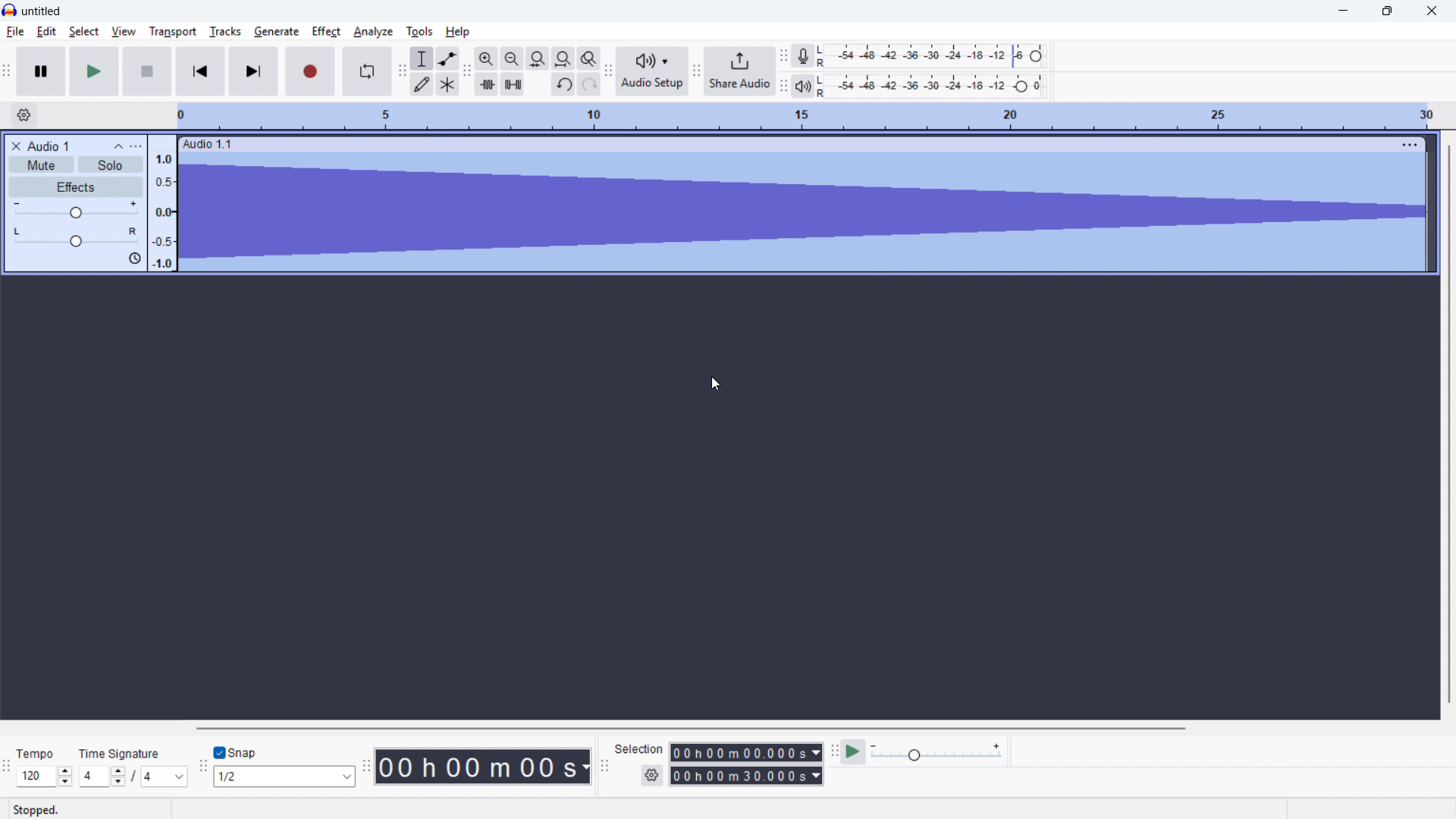 This screenshot has height=819, width=1456. What do you see at coordinates (121, 753) in the screenshot?
I see `Time signature` at bounding box center [121, 753].